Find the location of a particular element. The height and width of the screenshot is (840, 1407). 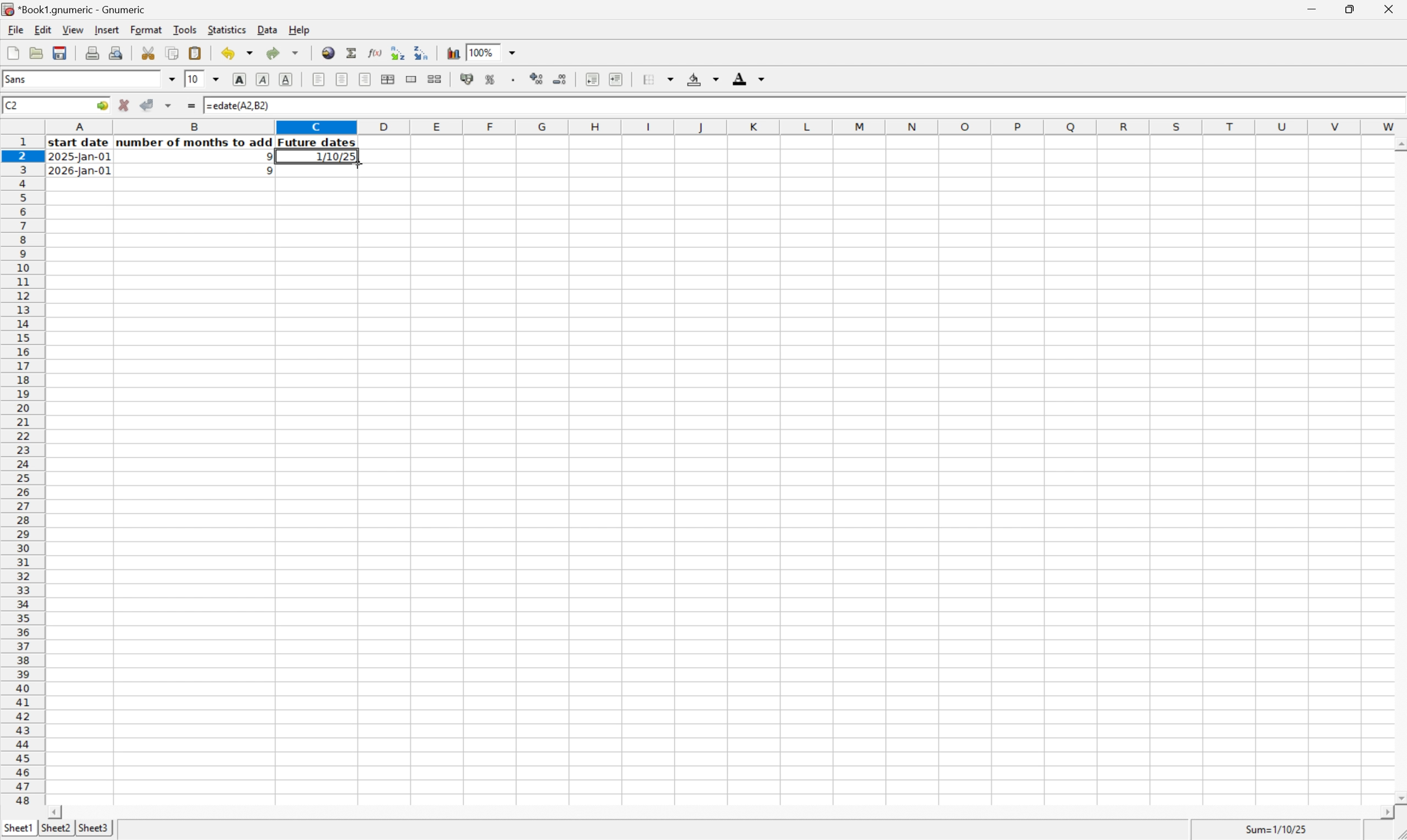

Scroll Up is located at coordinates (1398, 143).